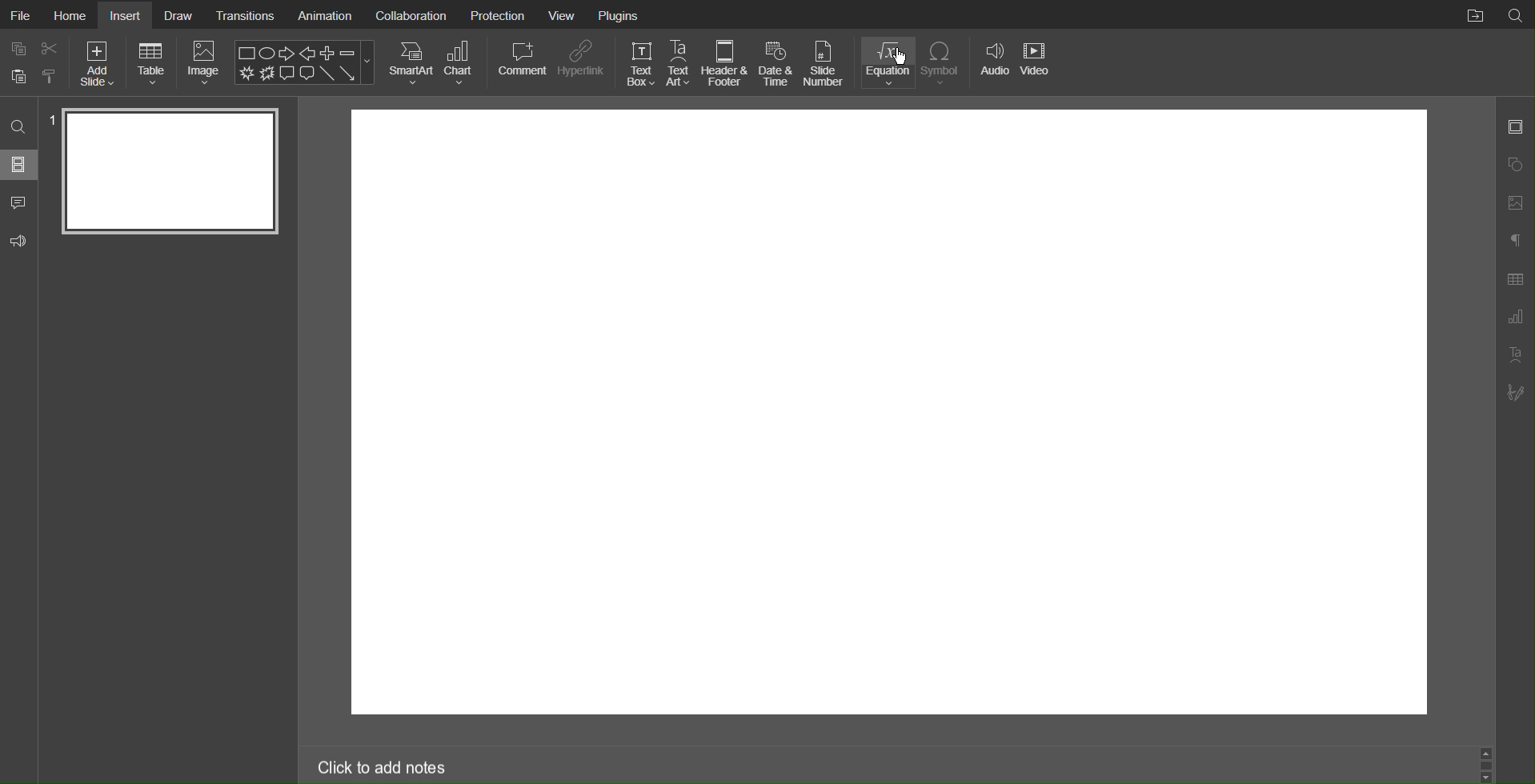  What do you see at coordinates (22, 202) in the screenshot?
I see `Comment` at bounding box center [22, 202].